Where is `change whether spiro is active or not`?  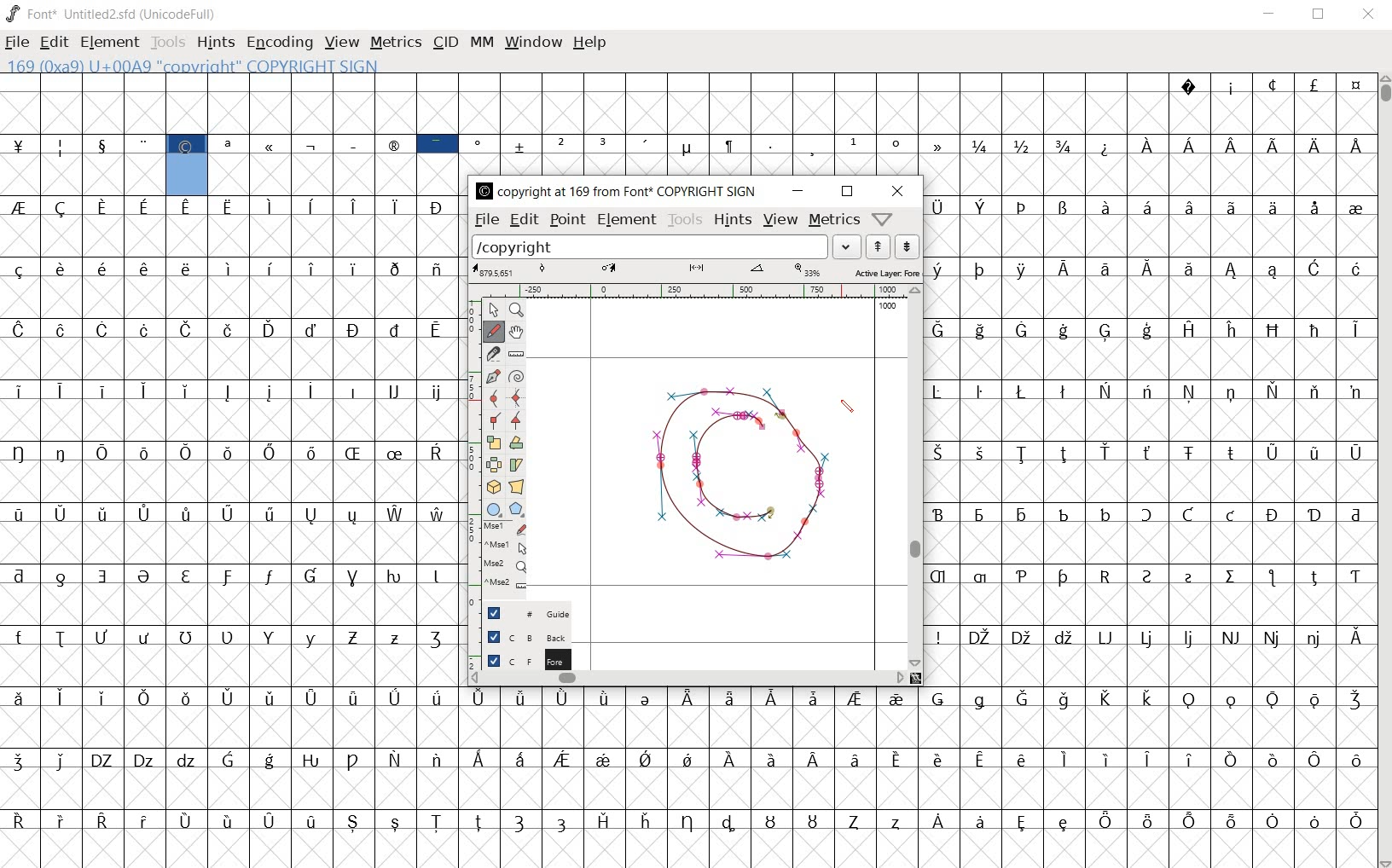 change whether spiro is active or not is located at coordinates (517, 376).